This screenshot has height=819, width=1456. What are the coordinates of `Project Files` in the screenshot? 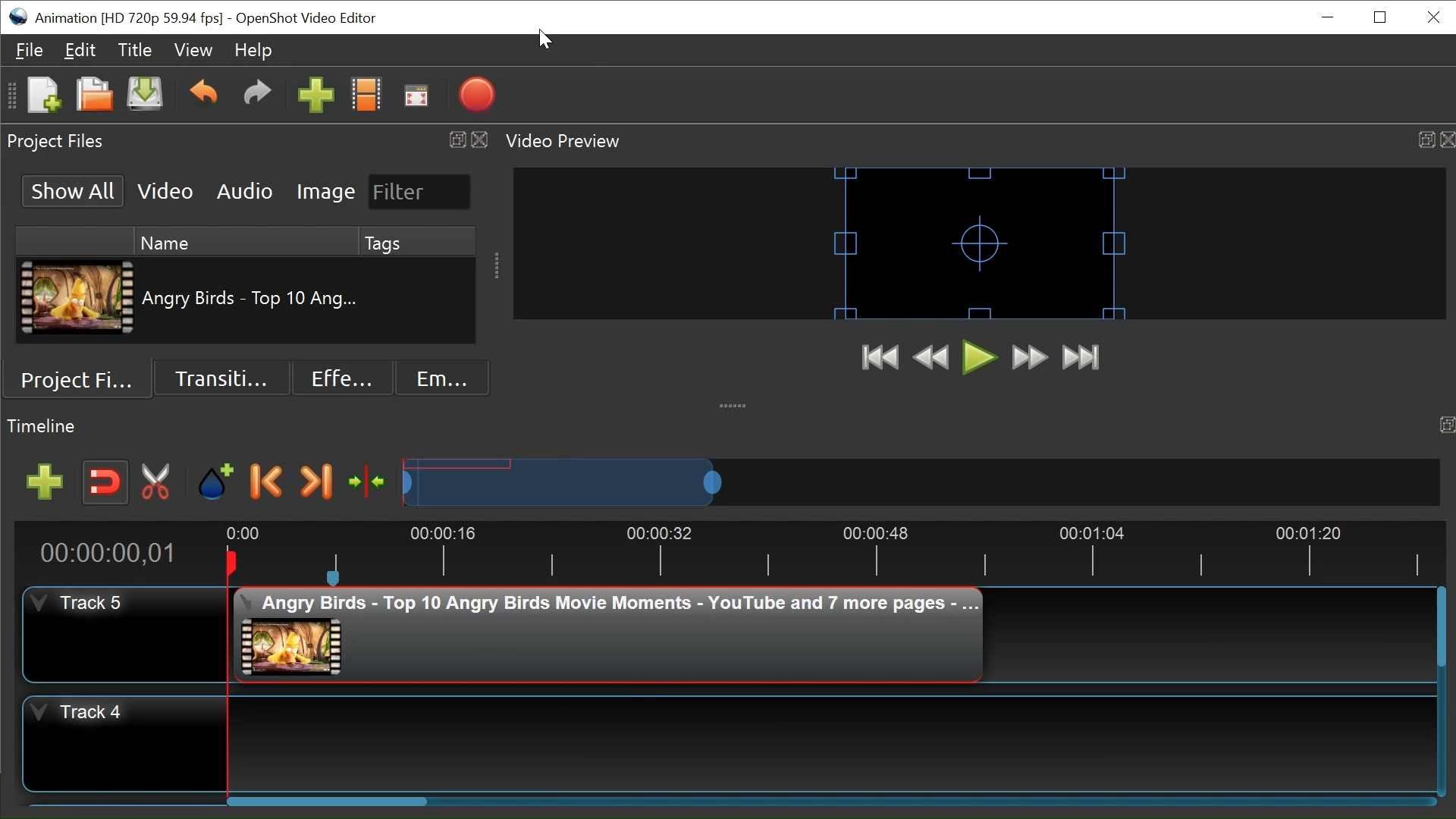 It's located at (248, 143).